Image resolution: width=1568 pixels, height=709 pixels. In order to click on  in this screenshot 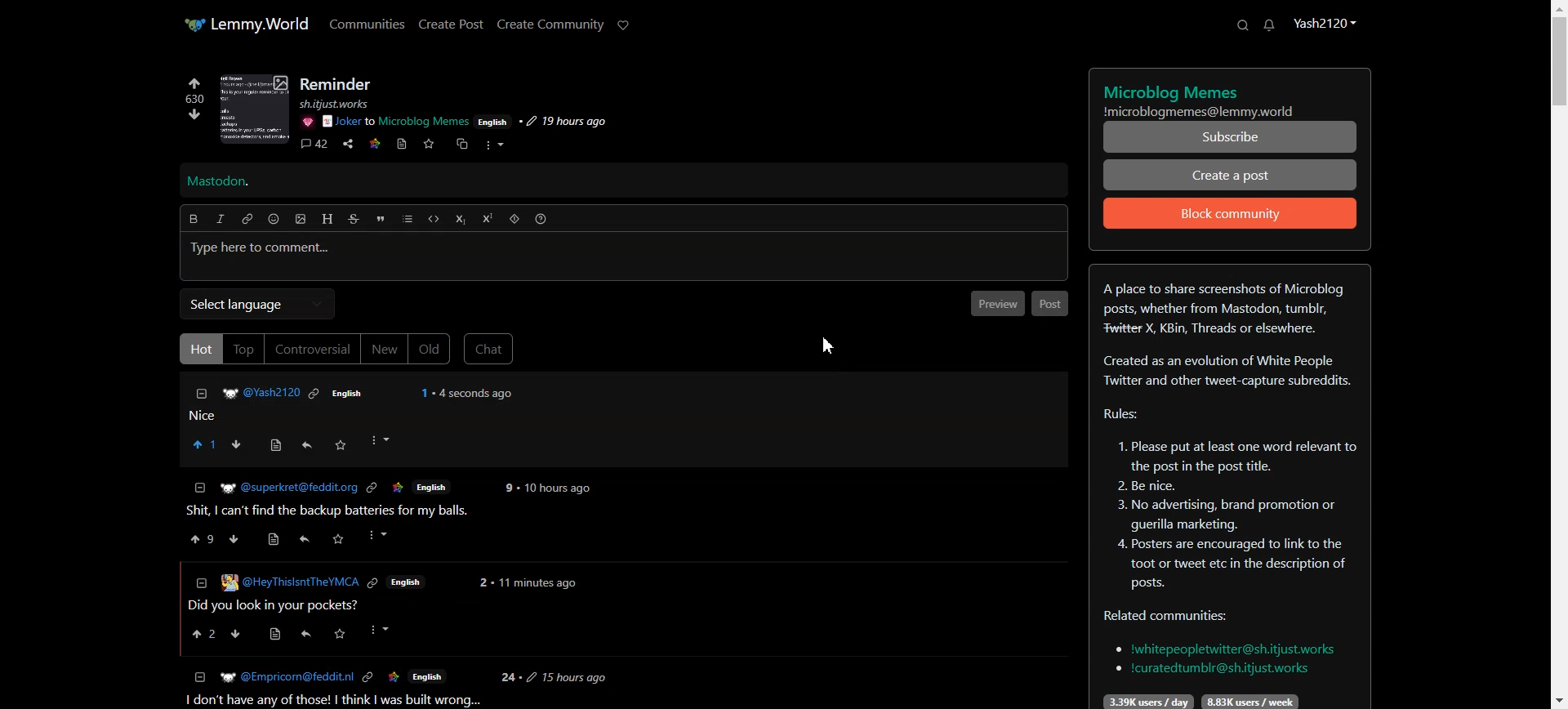, I will do `click(567, 678)`.